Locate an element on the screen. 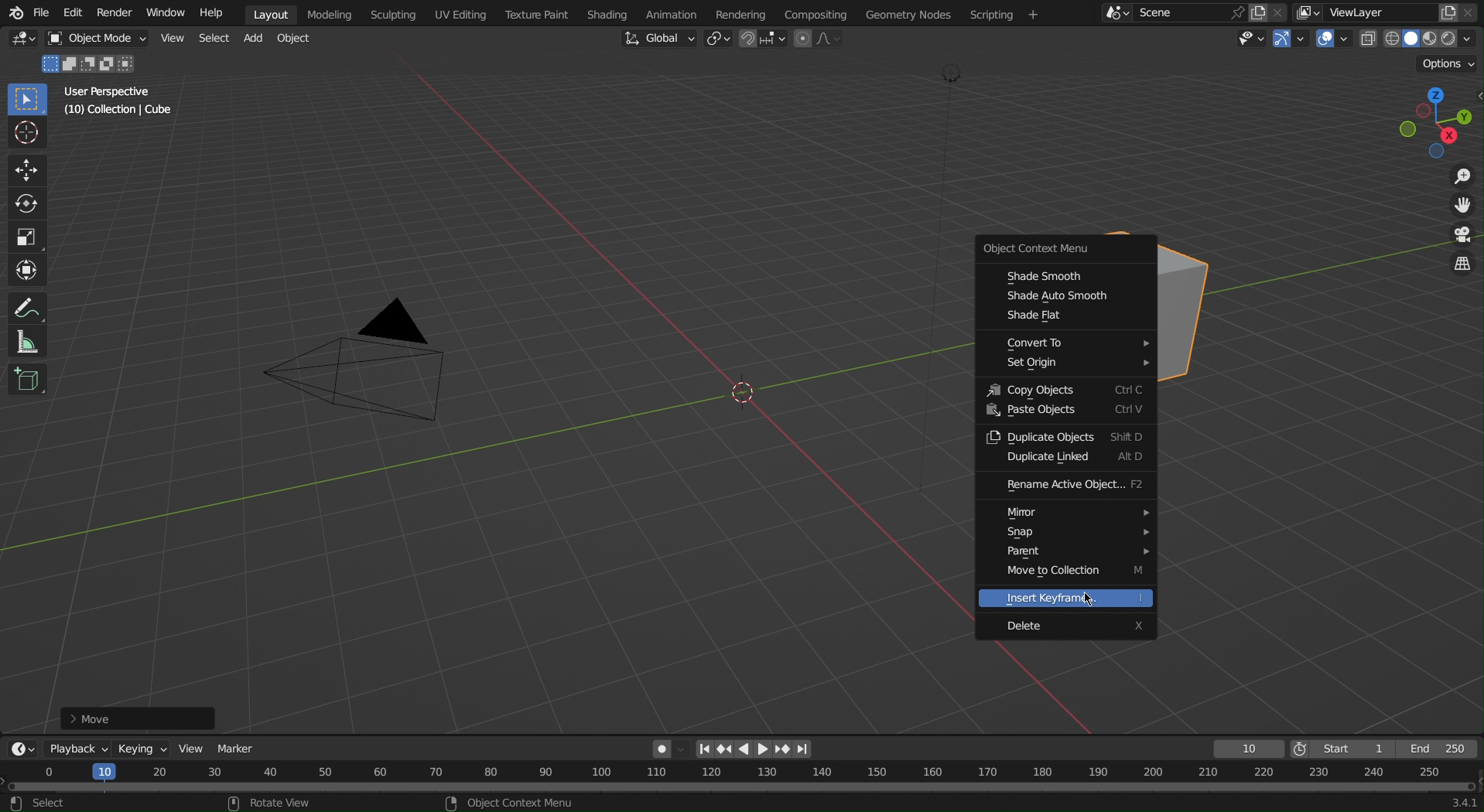  right is located at coordinates (764, 749).